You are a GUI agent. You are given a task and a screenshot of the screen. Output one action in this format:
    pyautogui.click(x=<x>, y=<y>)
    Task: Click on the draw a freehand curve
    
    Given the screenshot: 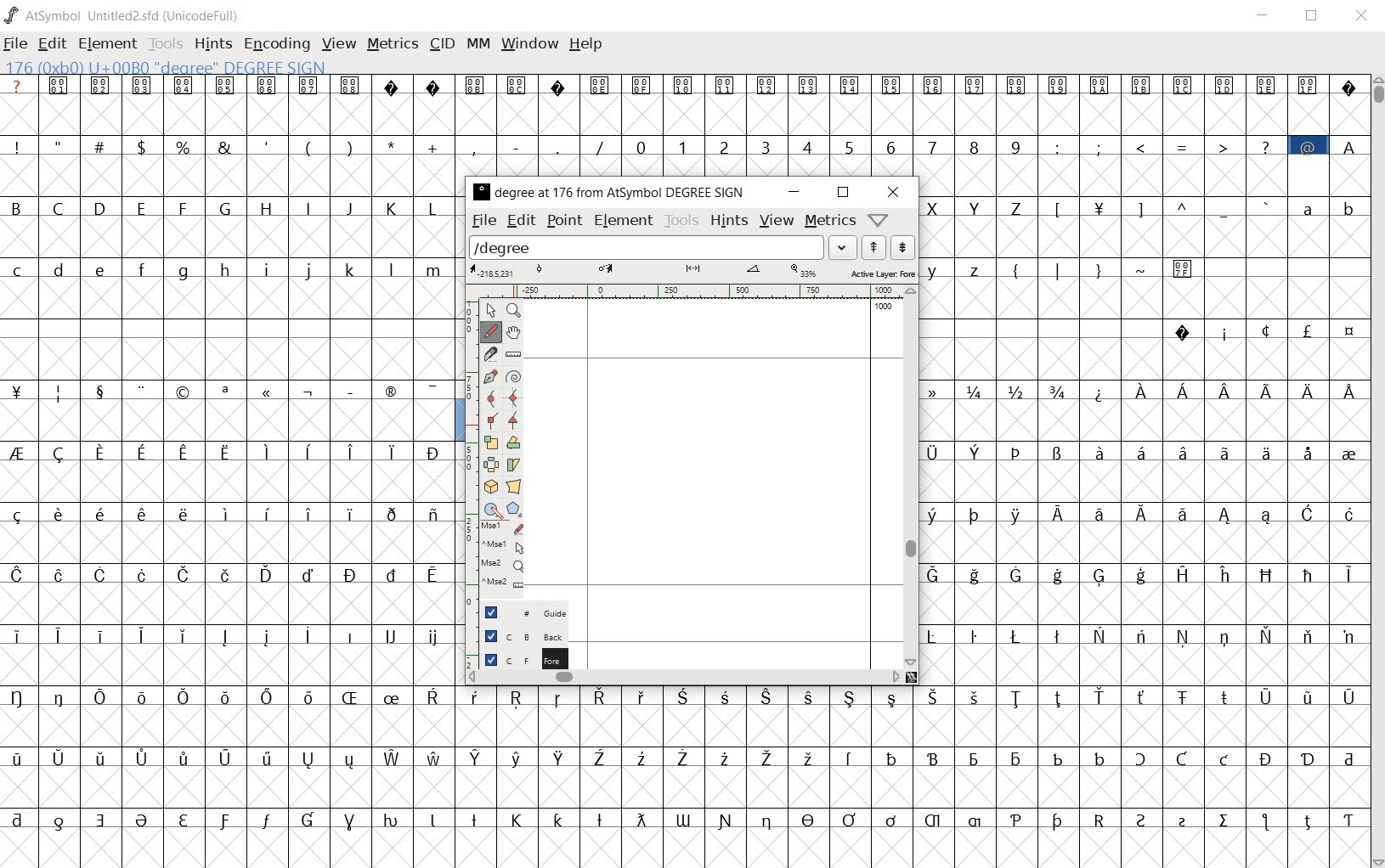 What is the action you would take?
    pyautogui.click(x=490, y=331)
    